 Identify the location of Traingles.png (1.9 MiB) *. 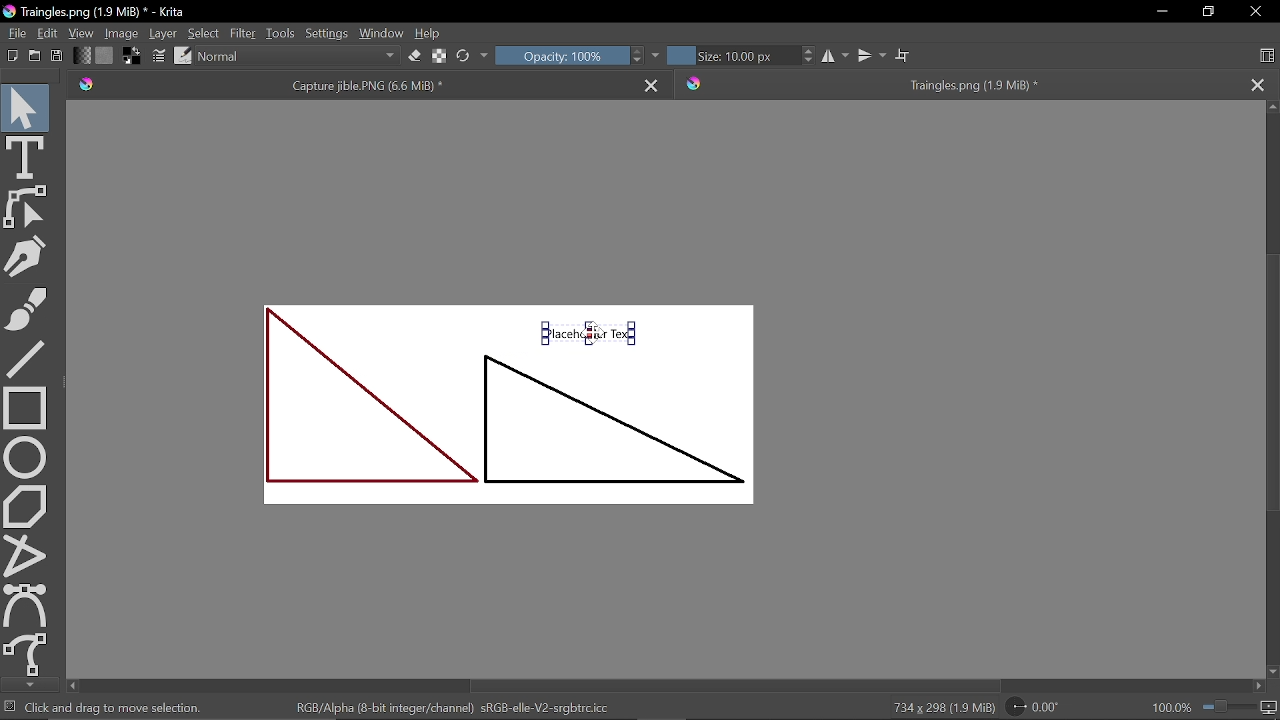
(956, 84).